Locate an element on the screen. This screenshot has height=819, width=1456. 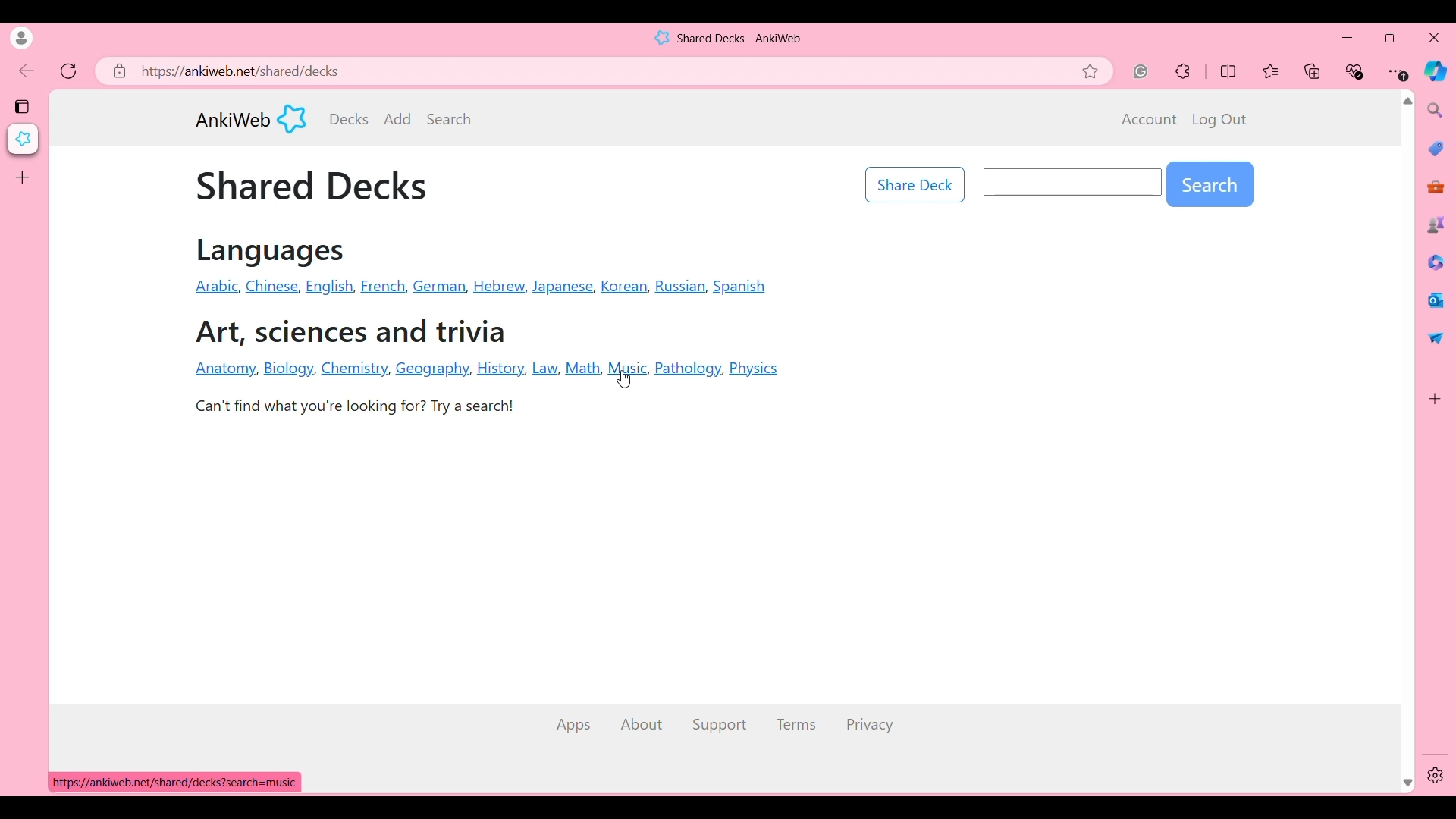
Search is located at coordinates (1210, 184).